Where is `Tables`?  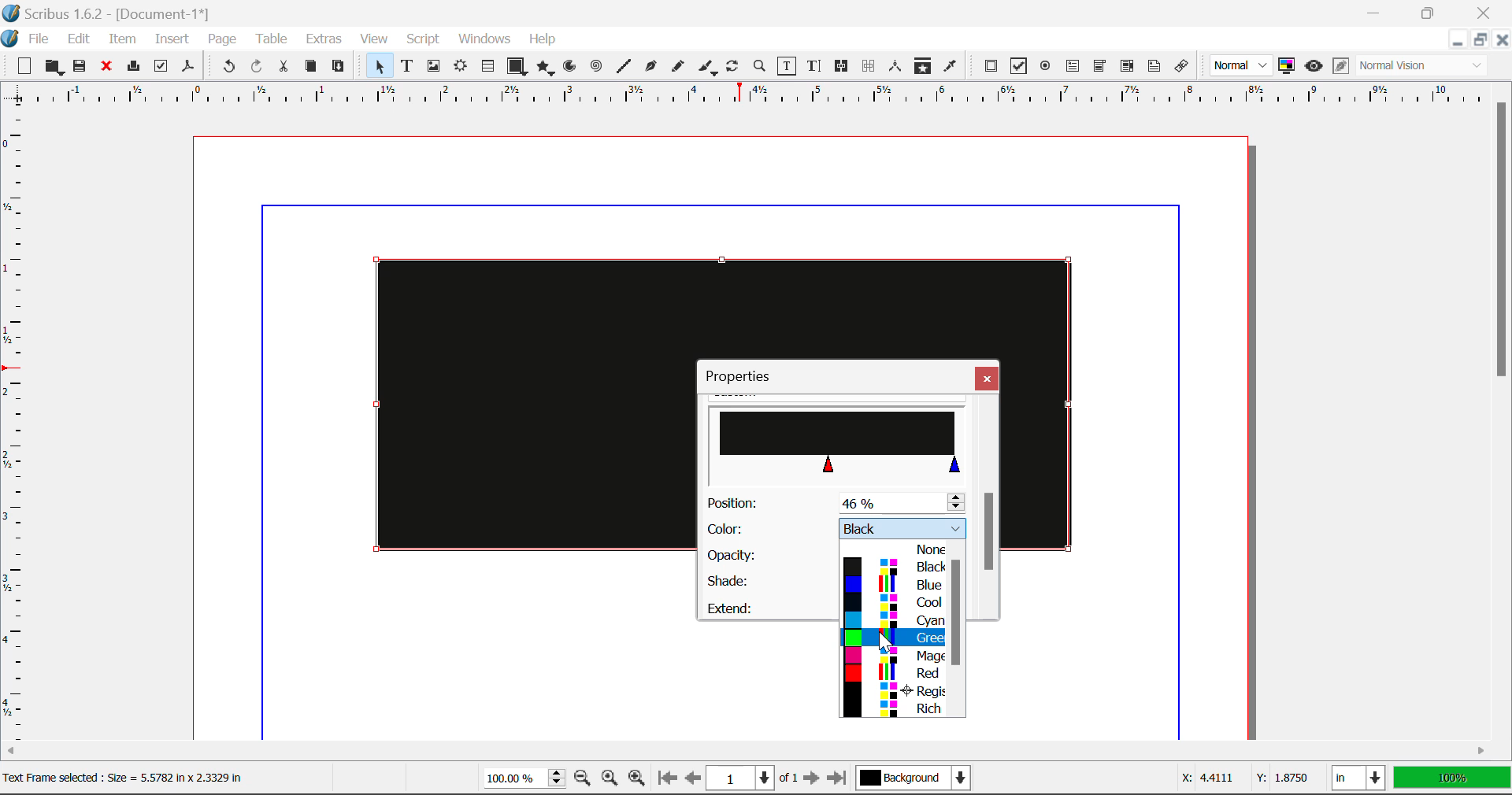
Tables is located at coordinates (487, 68).